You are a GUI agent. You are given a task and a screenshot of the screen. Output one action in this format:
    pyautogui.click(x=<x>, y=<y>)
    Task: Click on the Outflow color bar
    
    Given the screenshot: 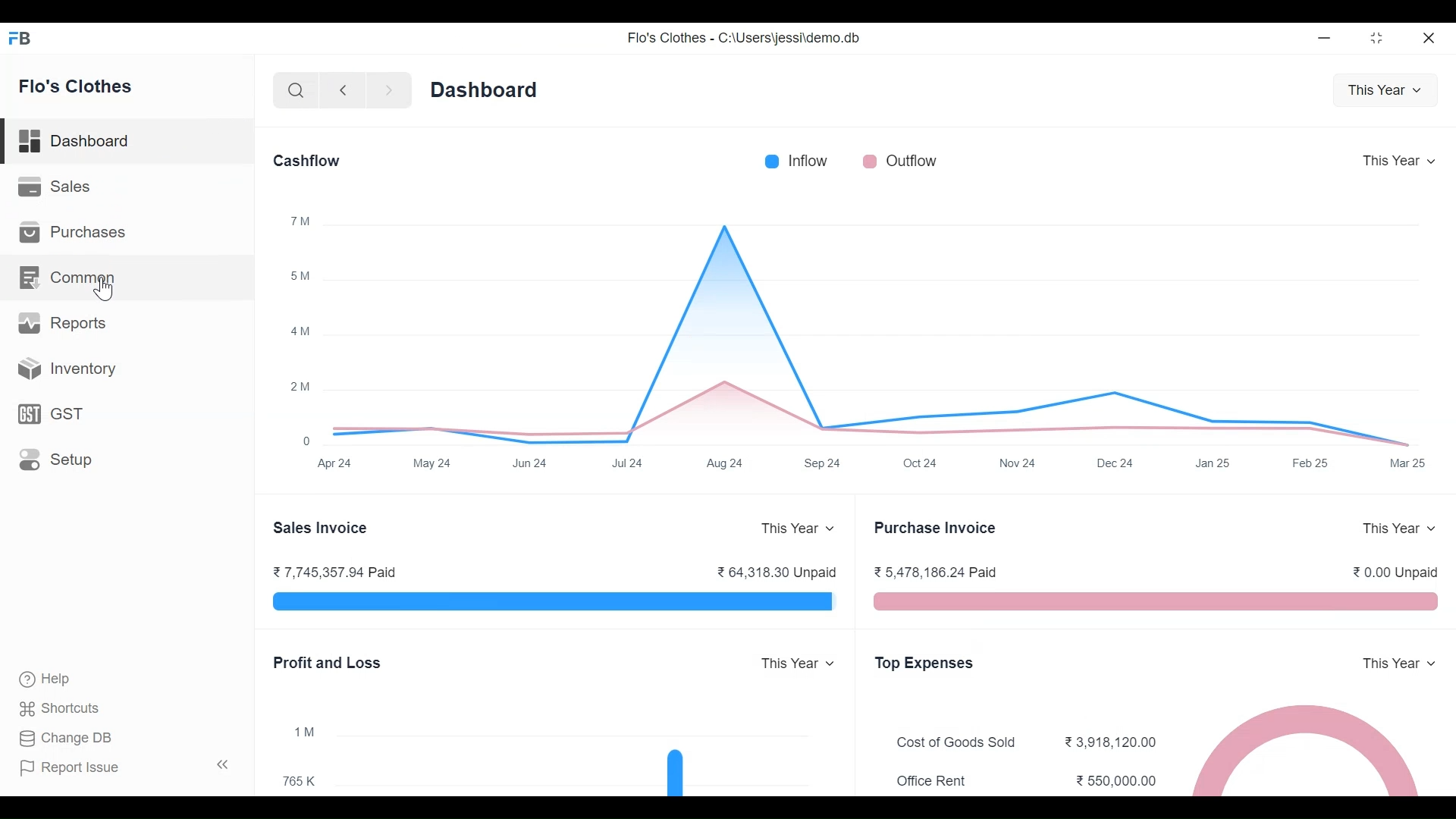 What is the action you would take?
    pyautogui.click(x=771, y=161)
    